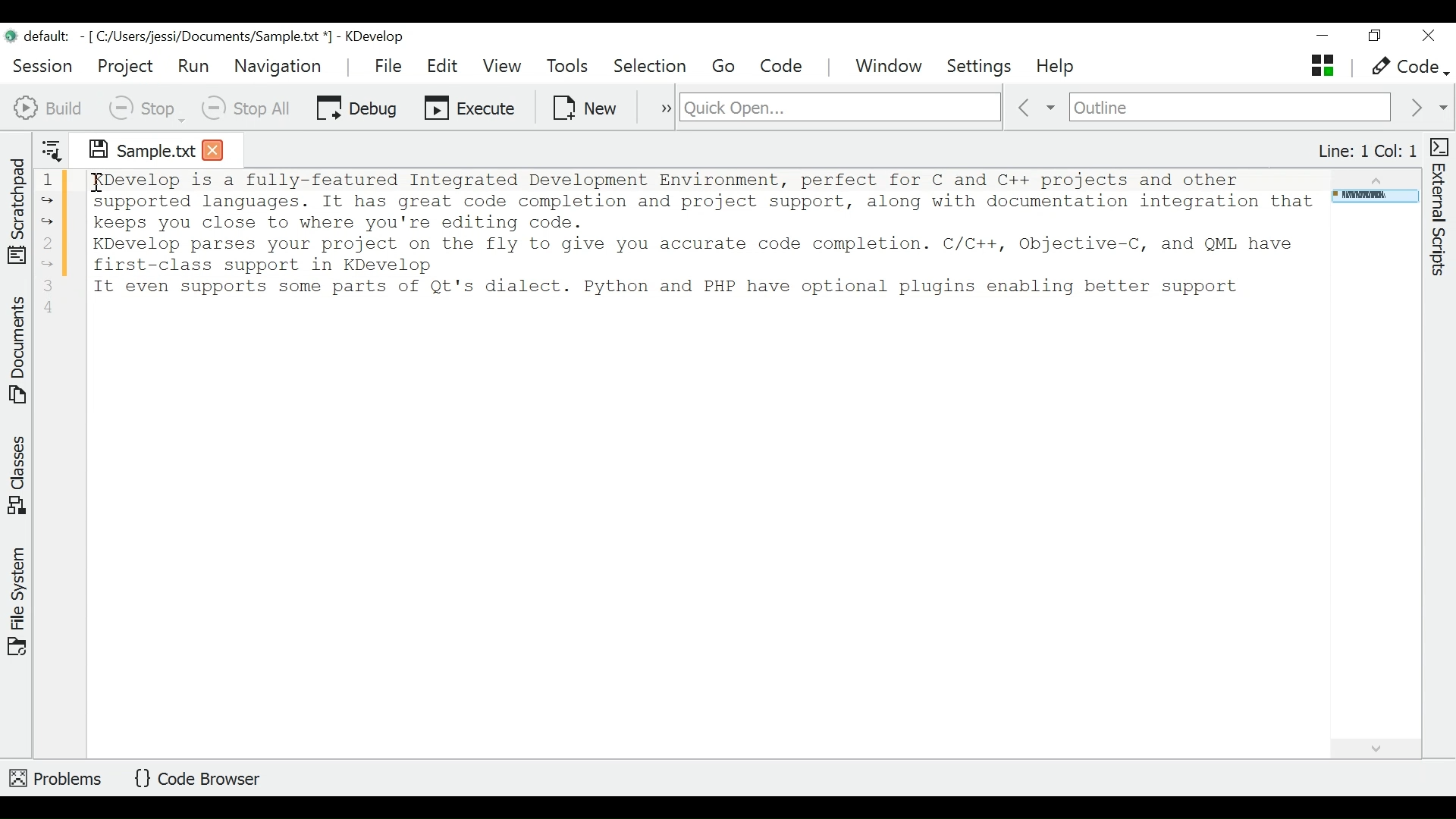 The image size is (1456, 819). Describe the element at coordinates (502, 66) in the screenshot. I see `View` at that location.